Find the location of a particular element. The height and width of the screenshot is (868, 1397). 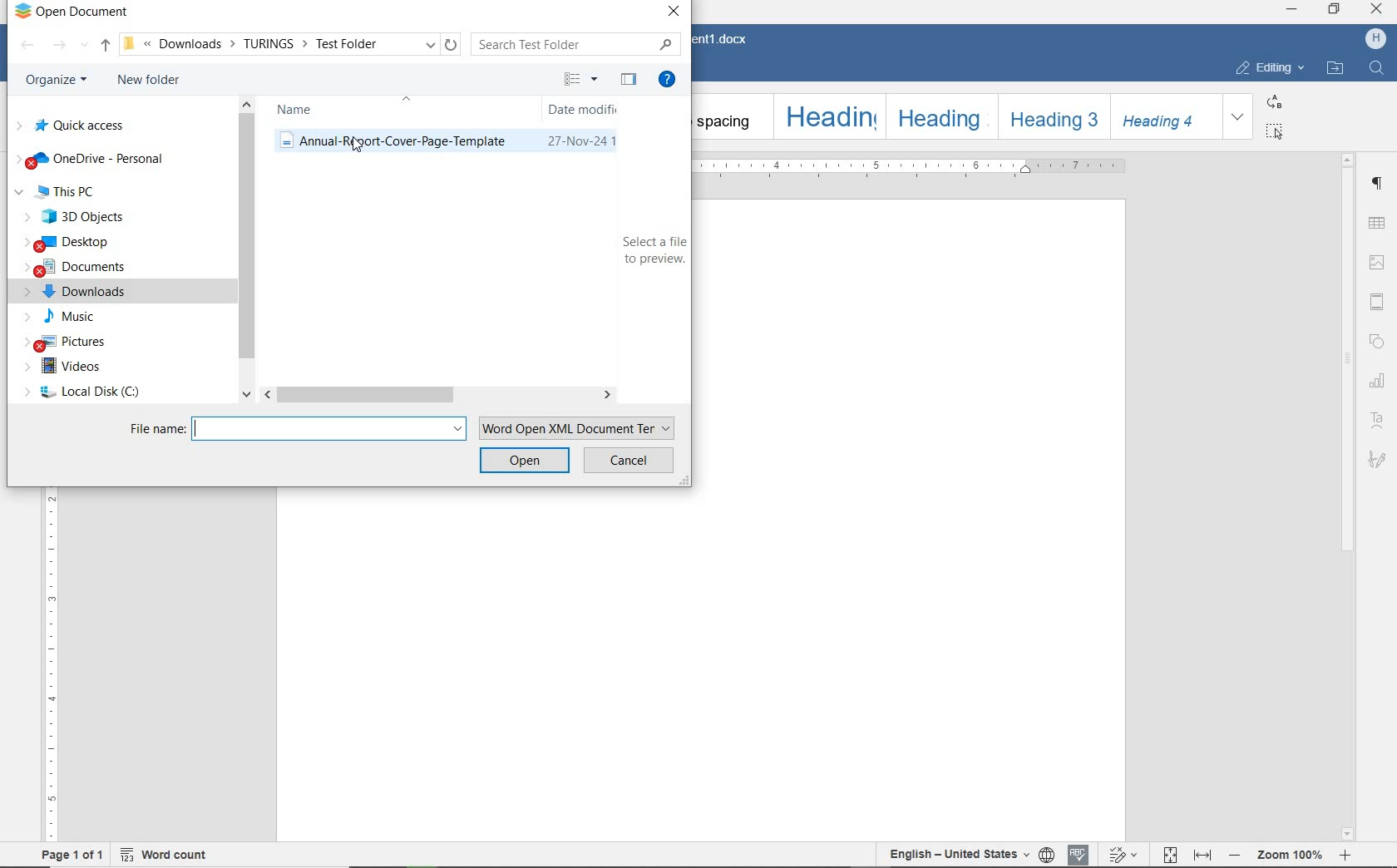

minimize is located at coordinates (1292, 10).